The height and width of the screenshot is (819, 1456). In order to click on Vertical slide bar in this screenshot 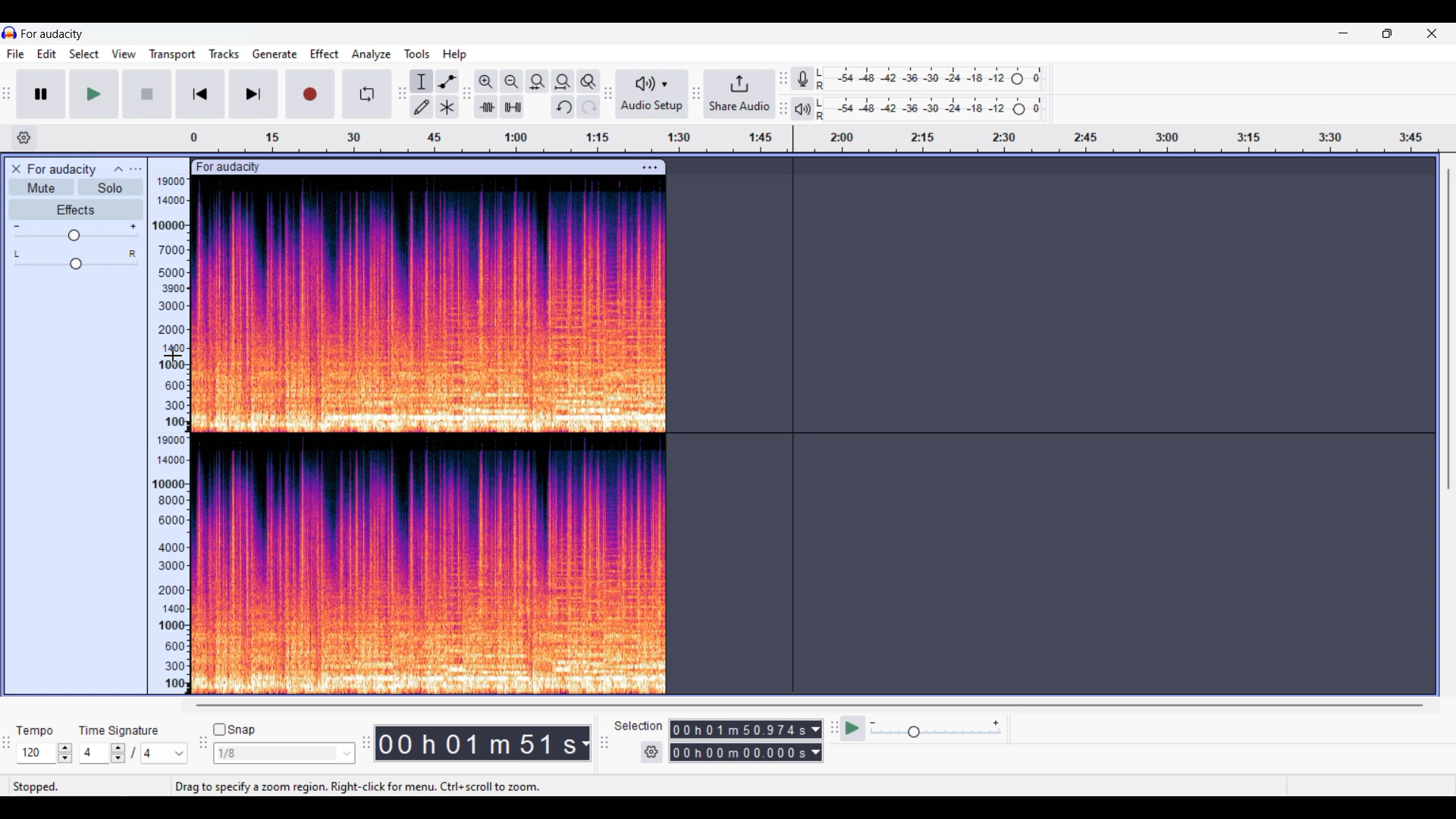, I will do `click(1448, 330)`.